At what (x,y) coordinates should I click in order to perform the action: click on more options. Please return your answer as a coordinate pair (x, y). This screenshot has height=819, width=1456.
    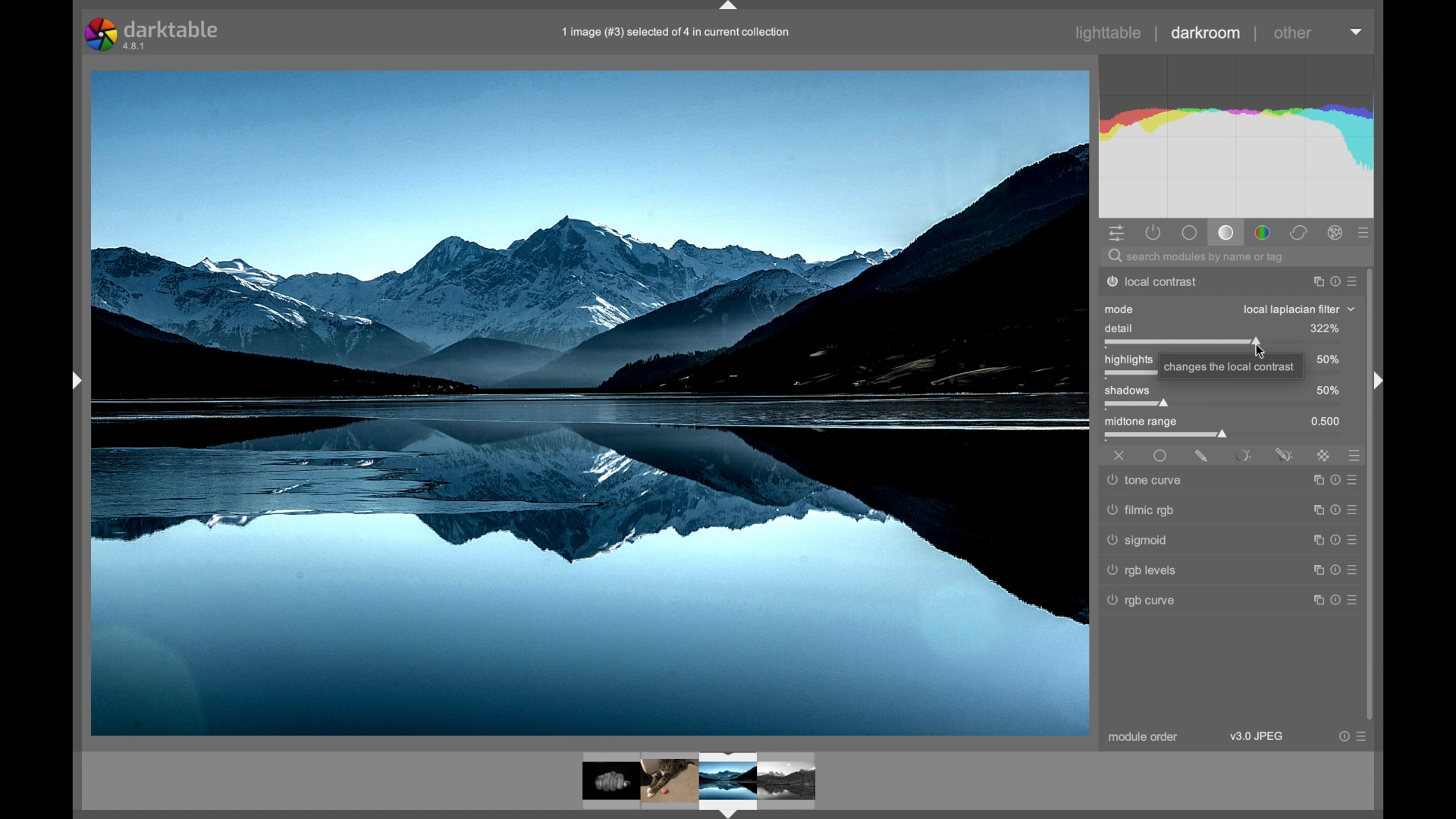
    Looking at the image, I should click on (1334, 537).